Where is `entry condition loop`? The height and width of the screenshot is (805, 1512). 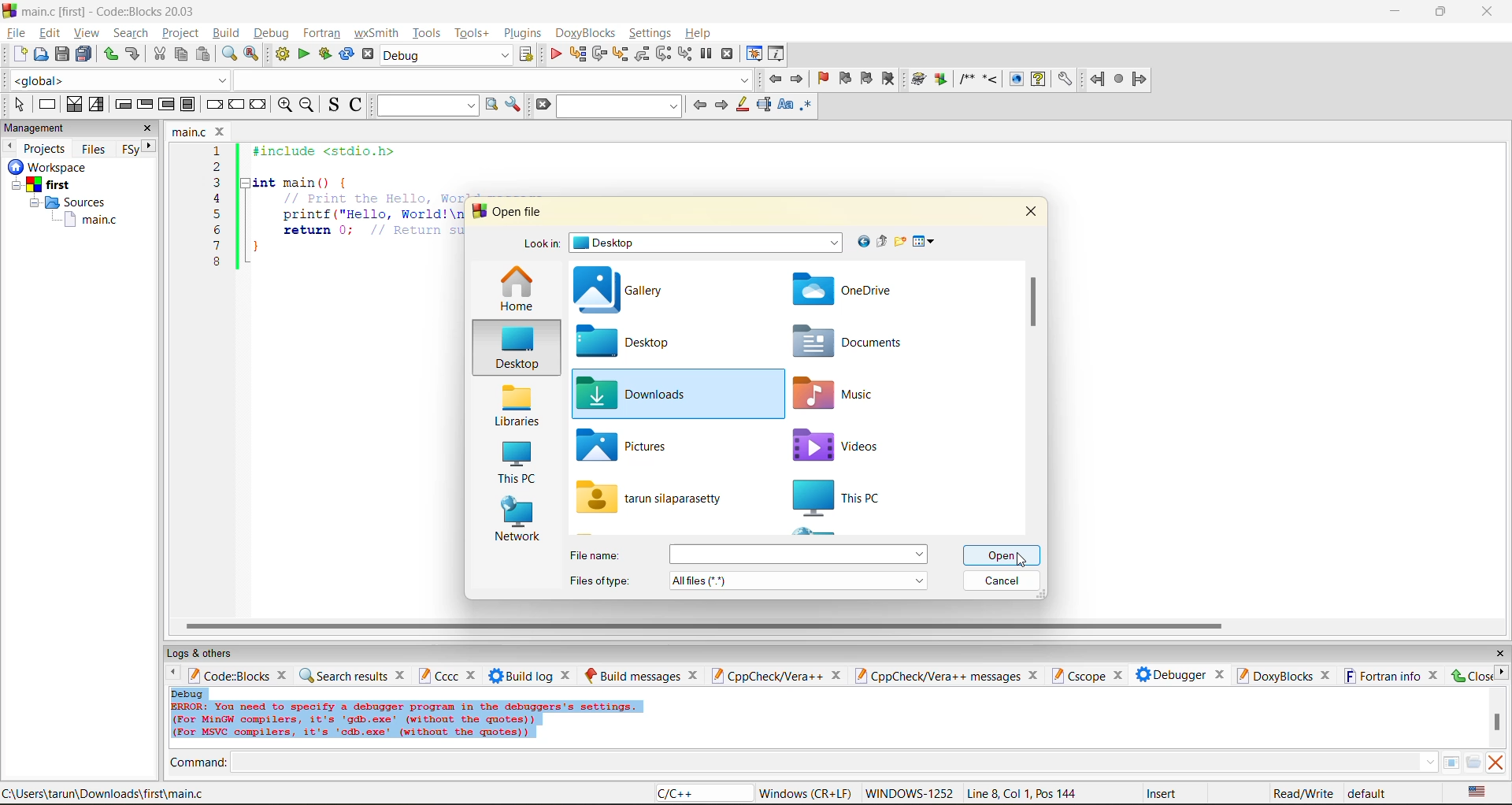
entry condition loop is located at coordinates (123, 104).